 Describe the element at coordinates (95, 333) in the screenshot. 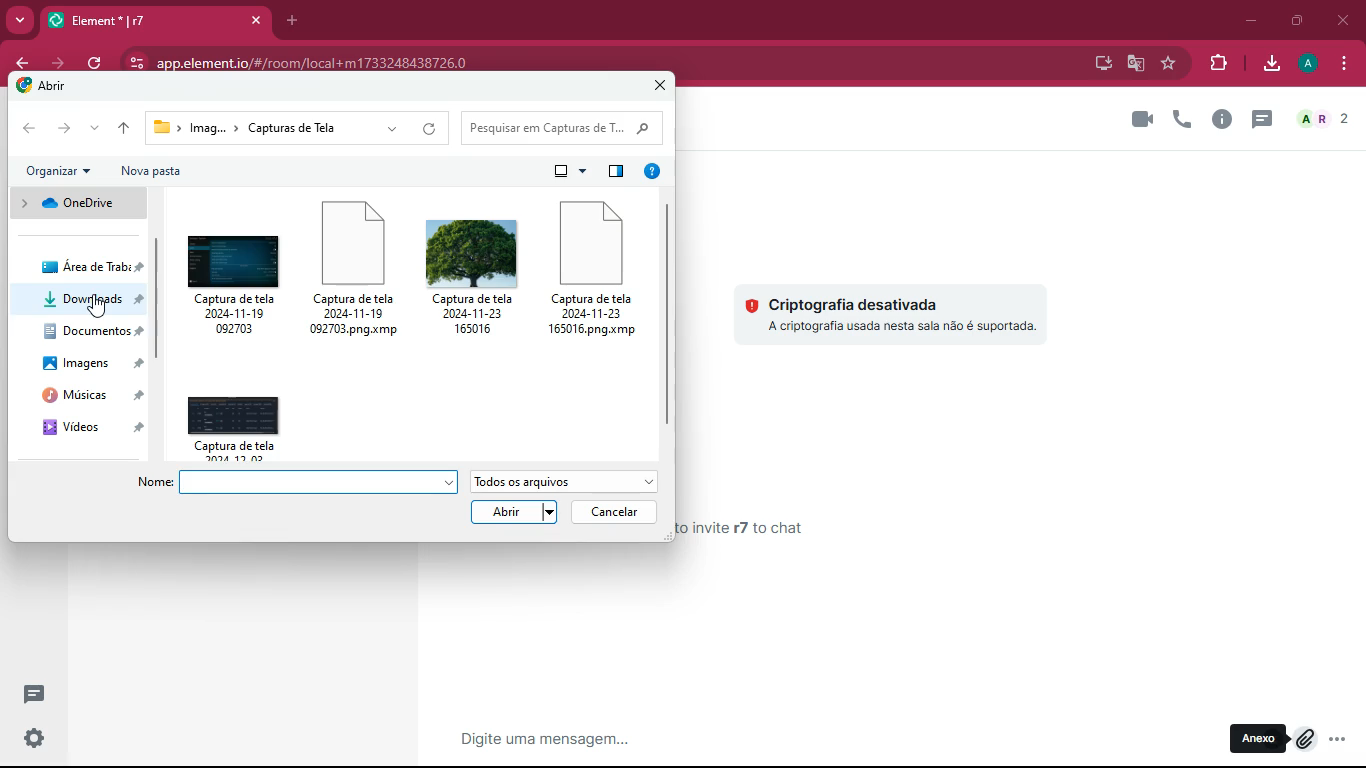

I see `docs` at that location.